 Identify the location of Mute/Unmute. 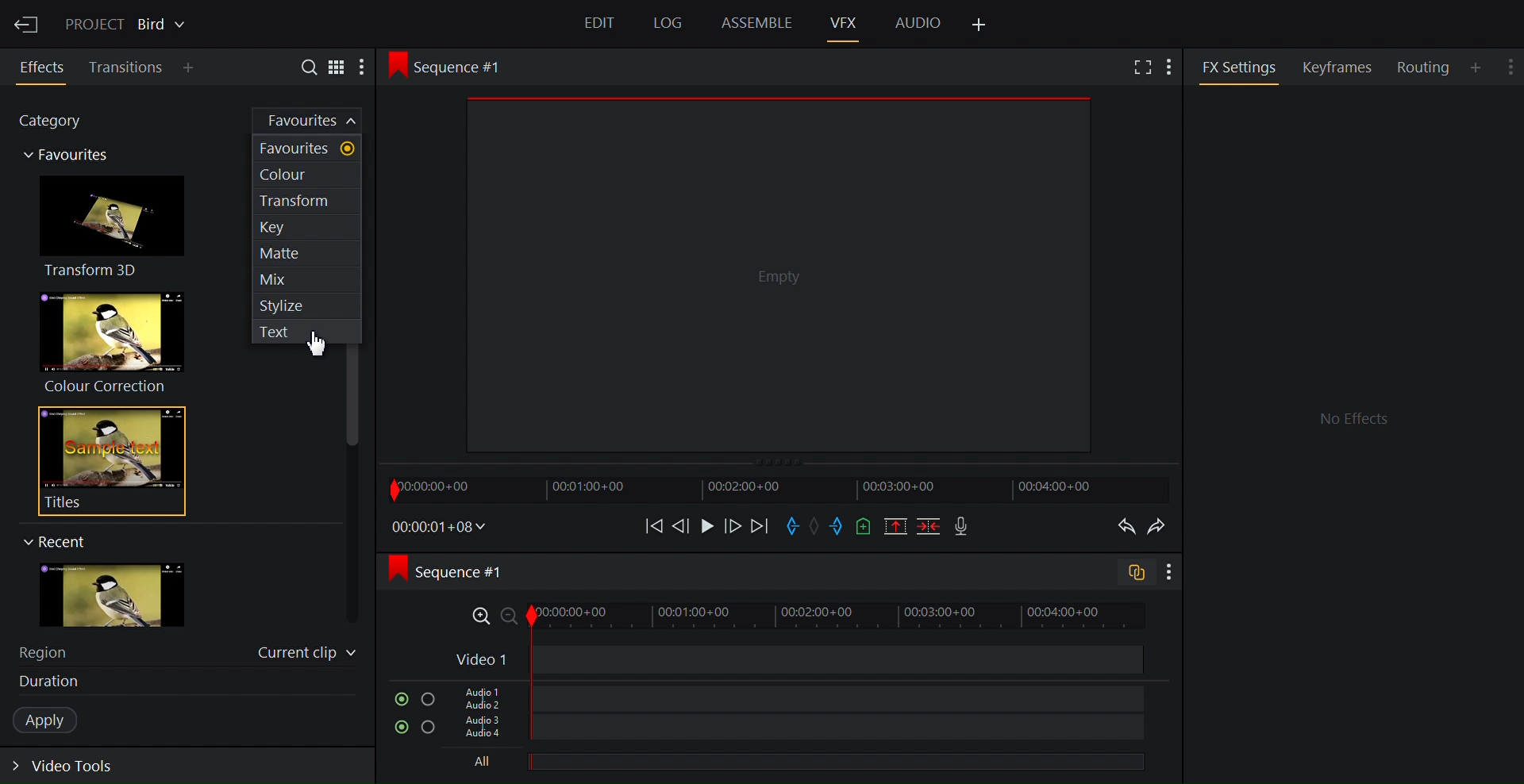
(398, 728).